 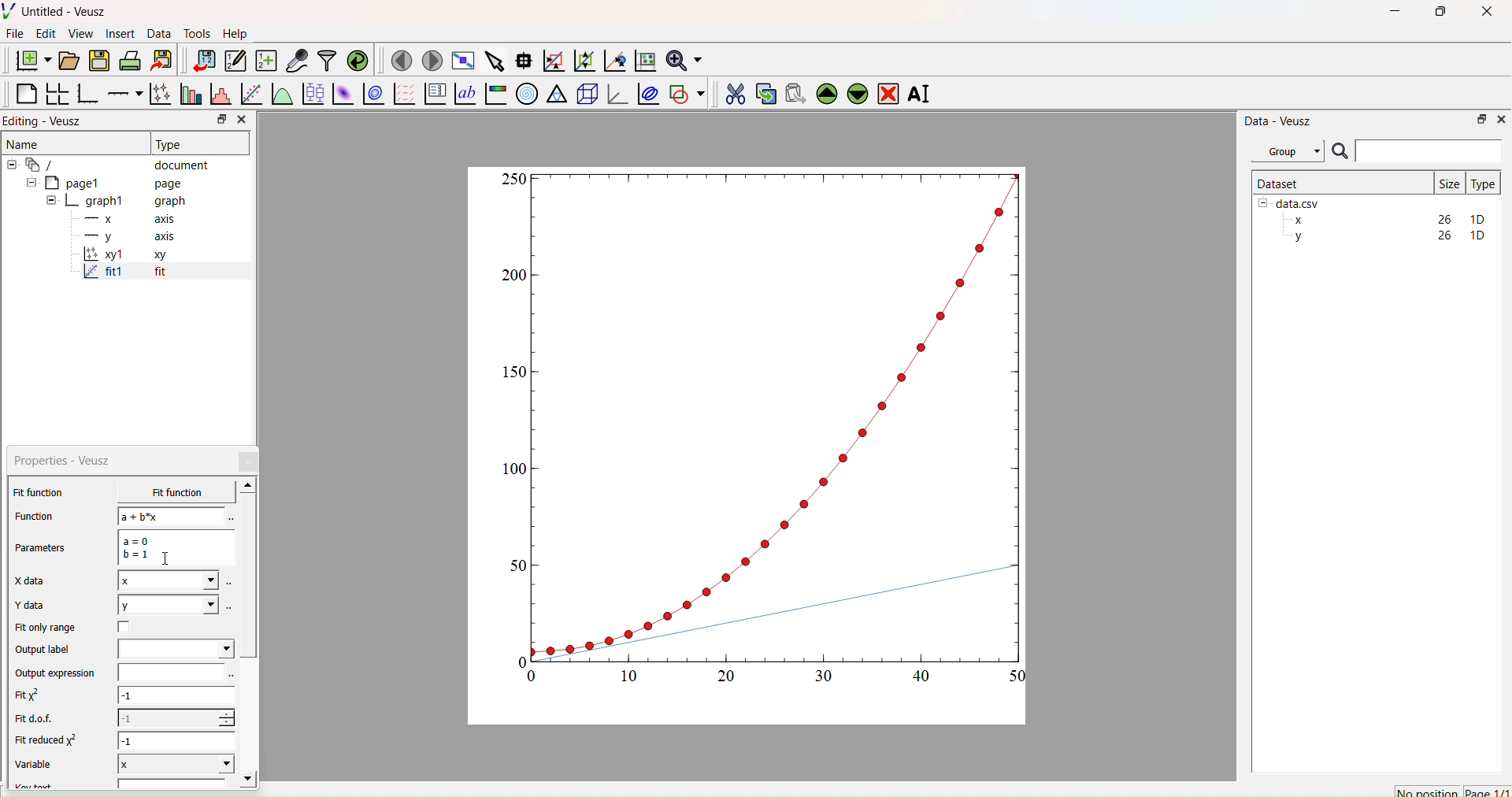 I want to click on Down, so click(x=857, y=91).